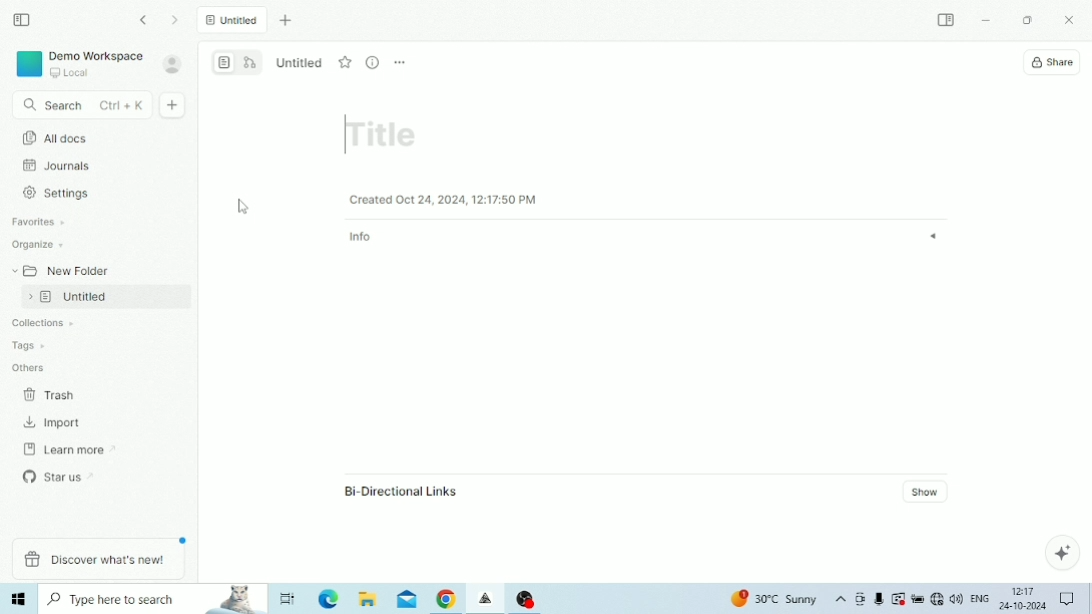 Image resolution: width=1092 pixels, height=614 pixels. Describe the element at coordinates (1072, 21) in the screenshot. I see `Close` at that location.